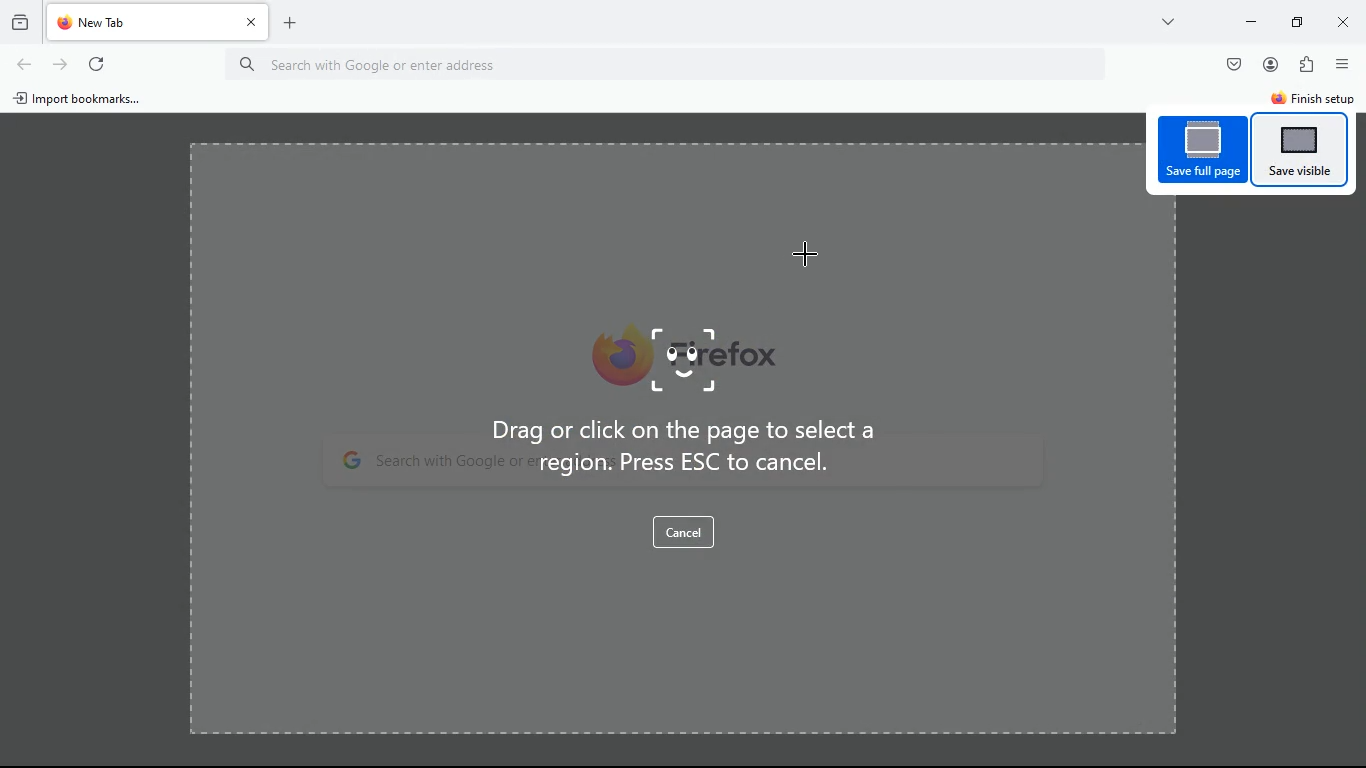 Image resolution: width=1366 pixels, height=768 pixels. Describe the element at coordinates (684, 531) in the screenshot. I see `cancel` at that location.